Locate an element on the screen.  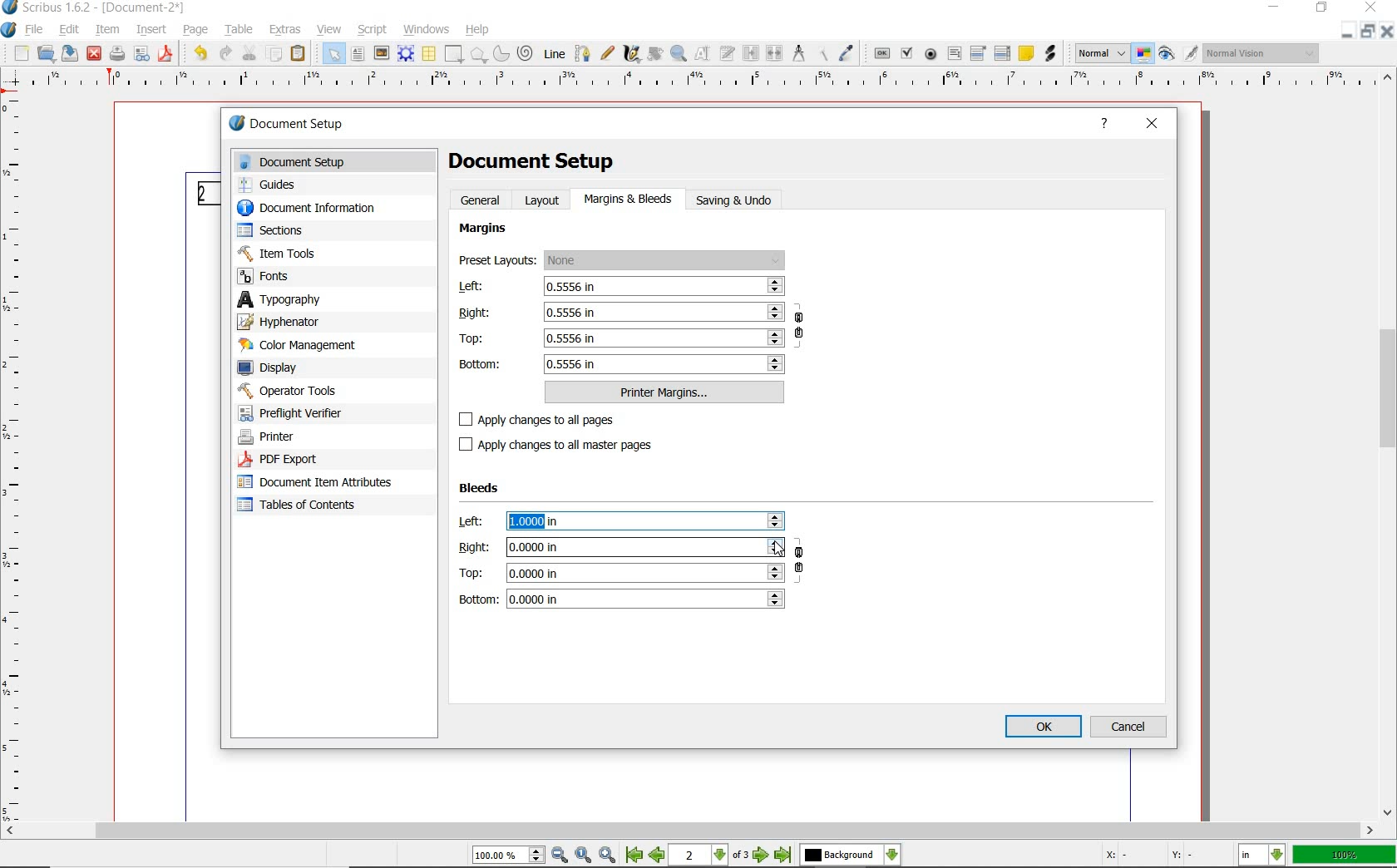
Last Page is located at coordinates (784, 856).